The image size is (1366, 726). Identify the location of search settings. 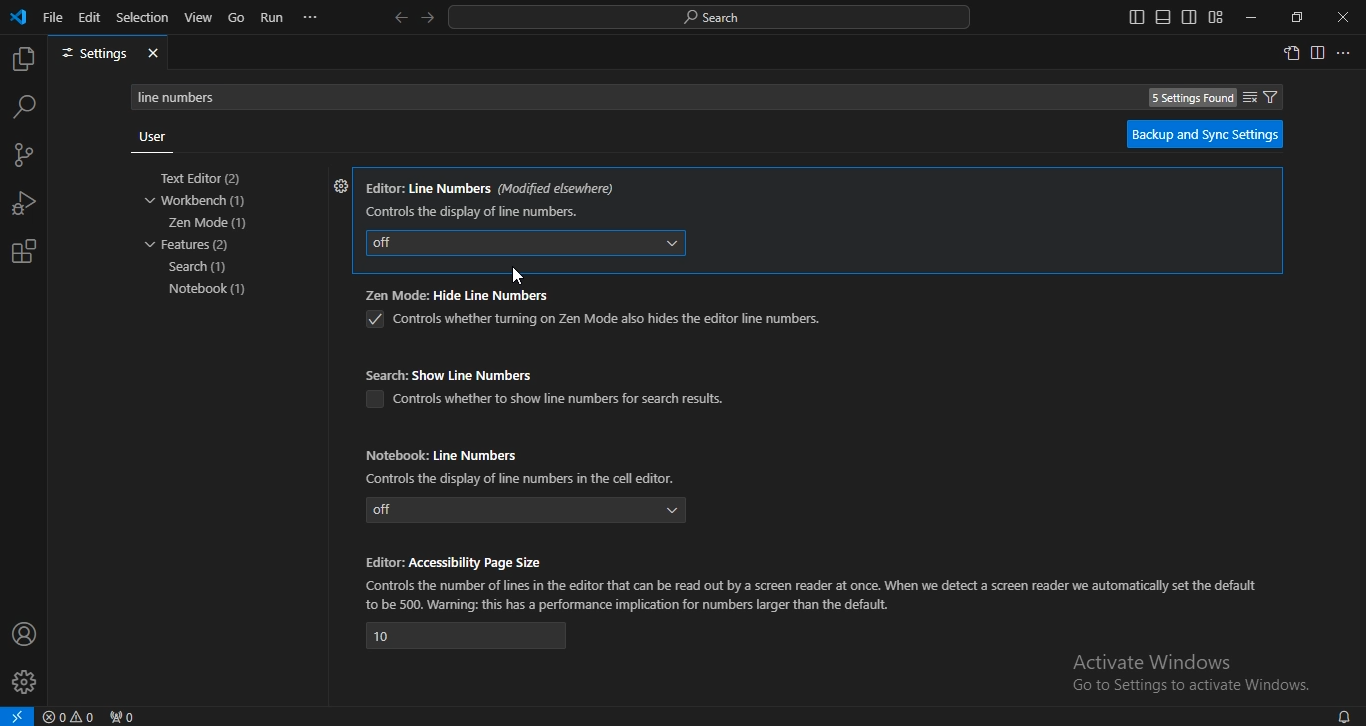
(714, 96).